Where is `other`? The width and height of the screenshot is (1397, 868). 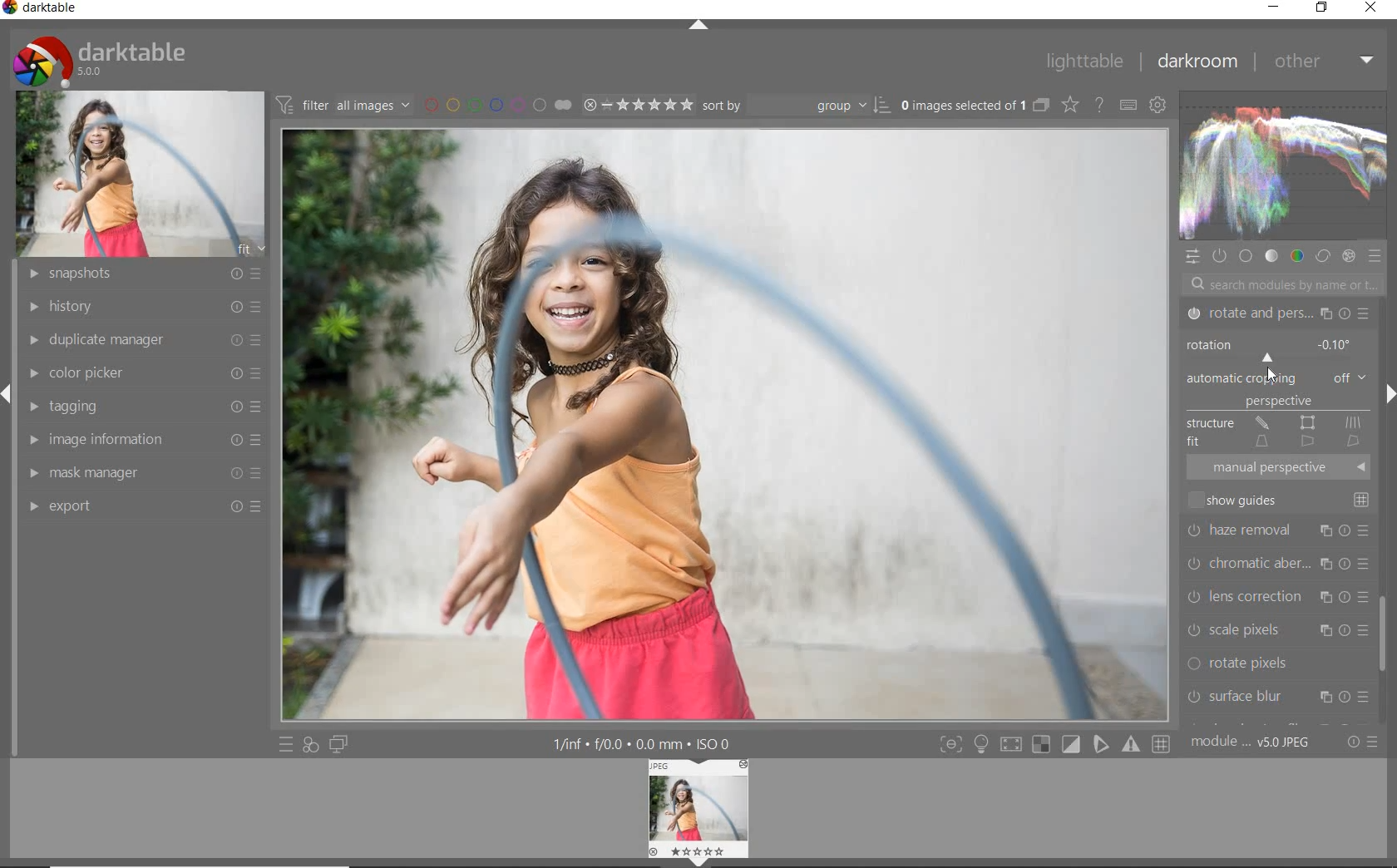
other is located at coordinates (1321, 61).